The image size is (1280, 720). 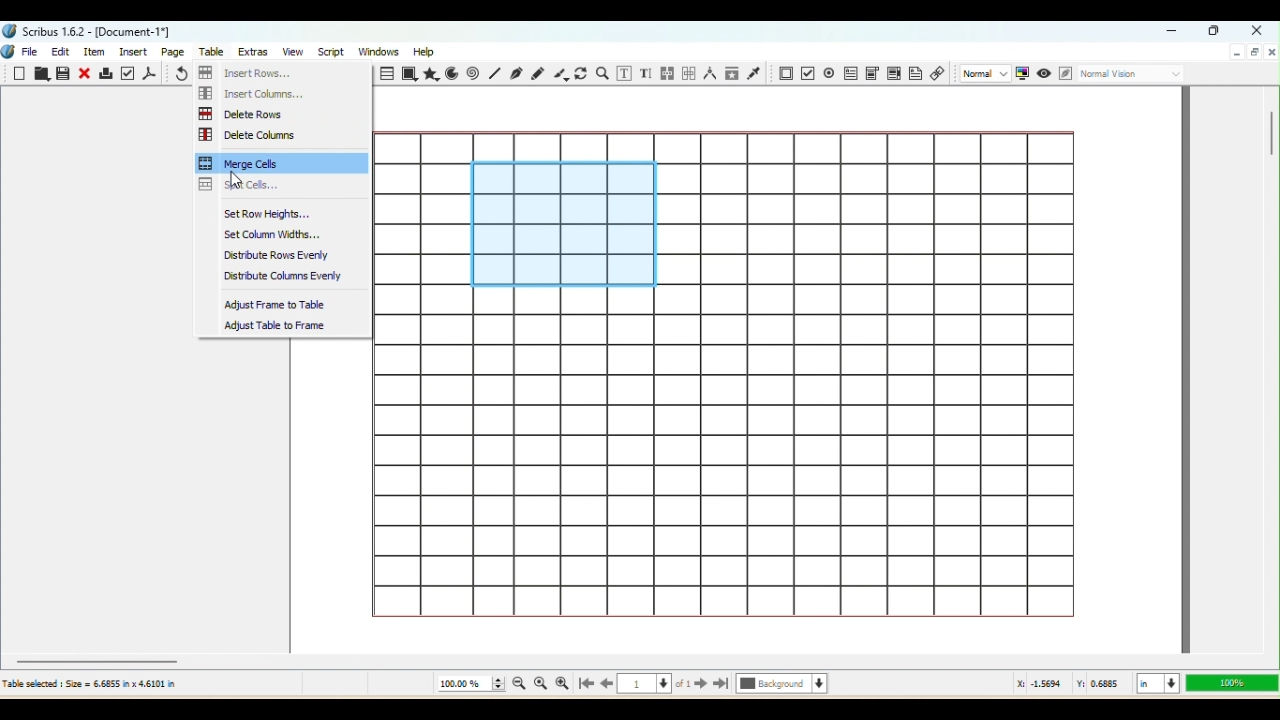 I want to click on Select the current layer, so click(x=782, y=685).